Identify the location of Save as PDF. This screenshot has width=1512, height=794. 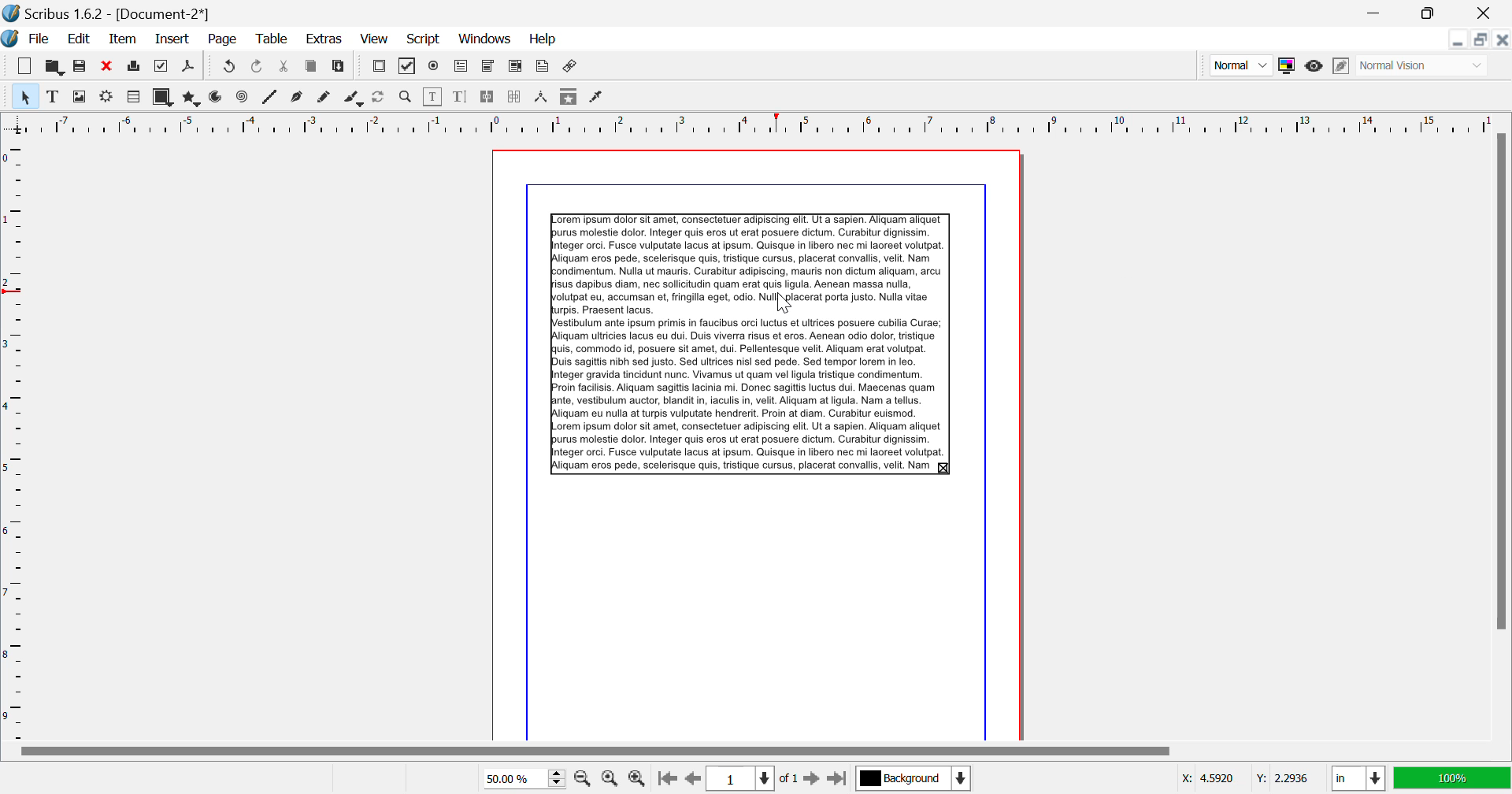
(189, 68).